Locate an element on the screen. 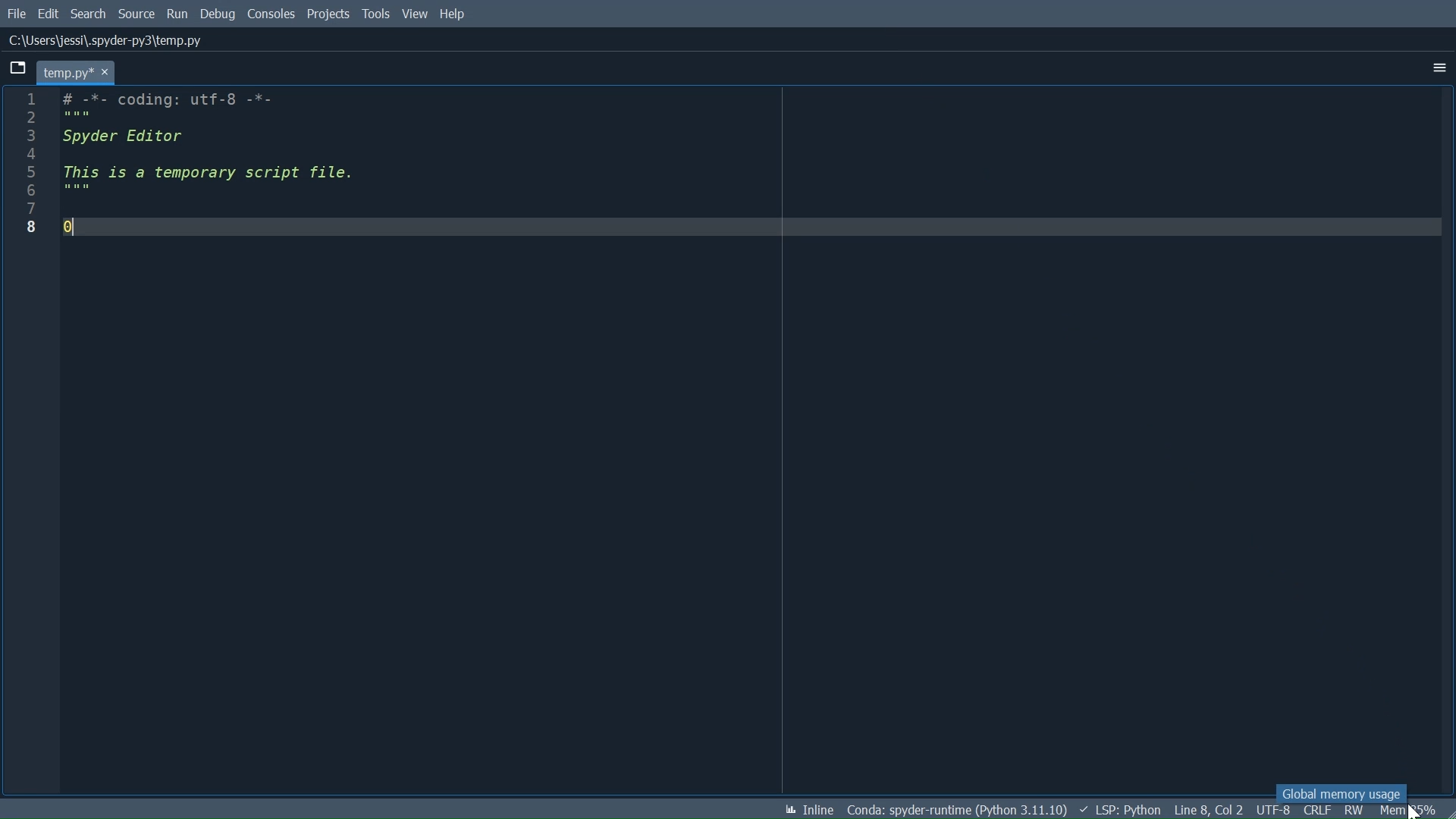  Source is located at coordinates (136, 14).